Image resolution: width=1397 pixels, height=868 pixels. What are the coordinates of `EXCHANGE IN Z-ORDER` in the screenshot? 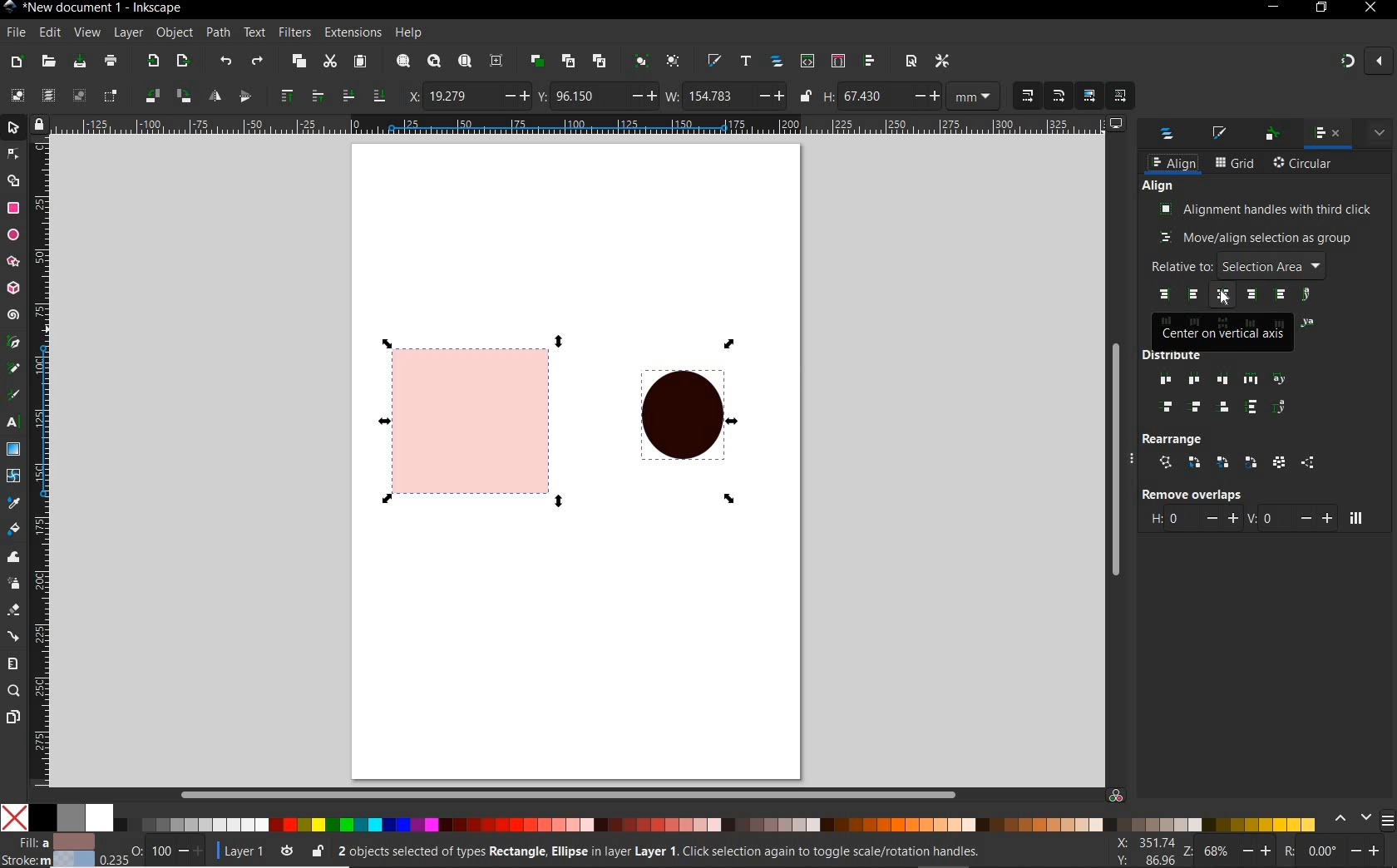 It's located at (1223, 462).